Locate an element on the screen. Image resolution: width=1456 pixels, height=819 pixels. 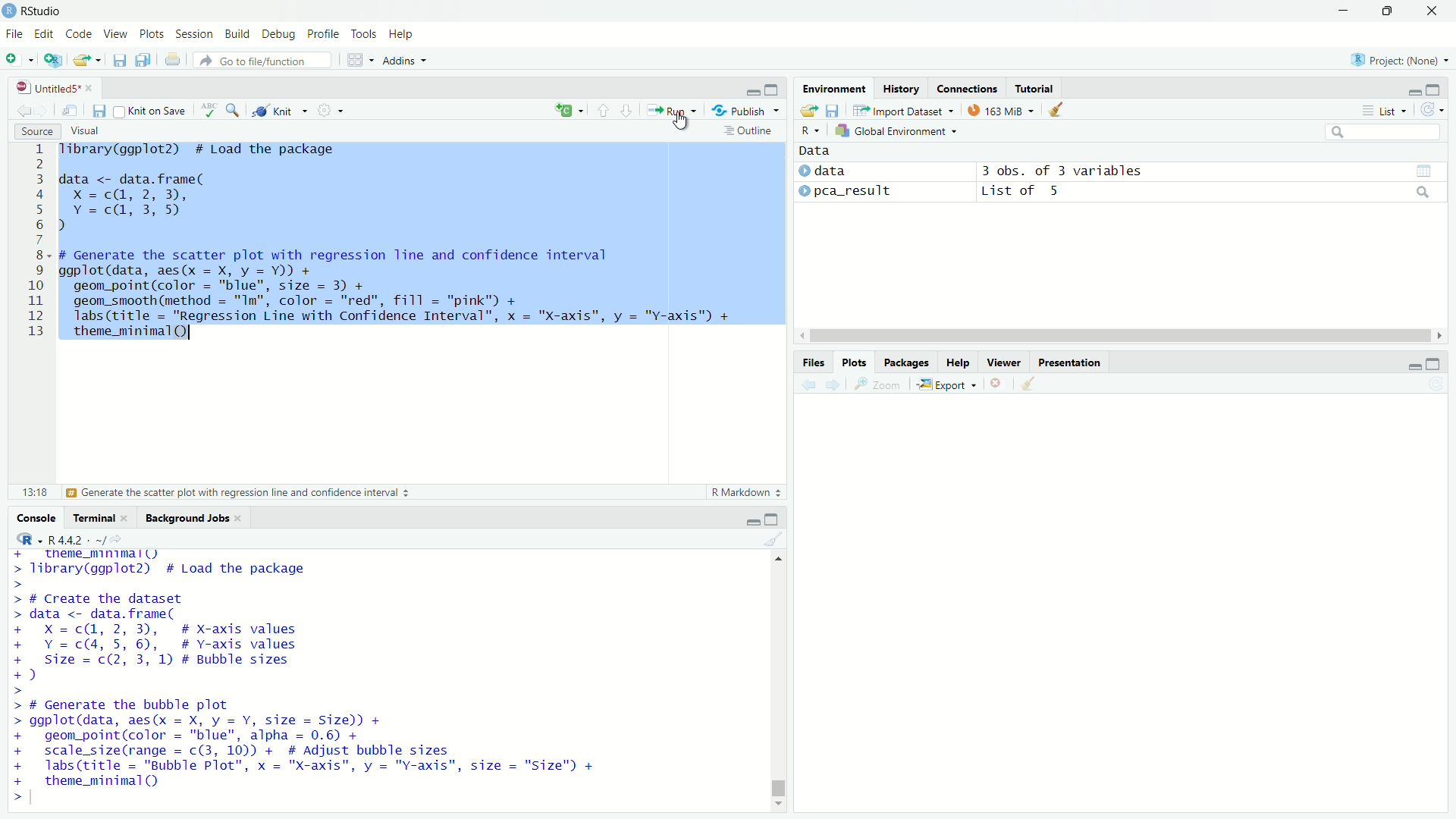
expand is located at coordinates (770, 518).